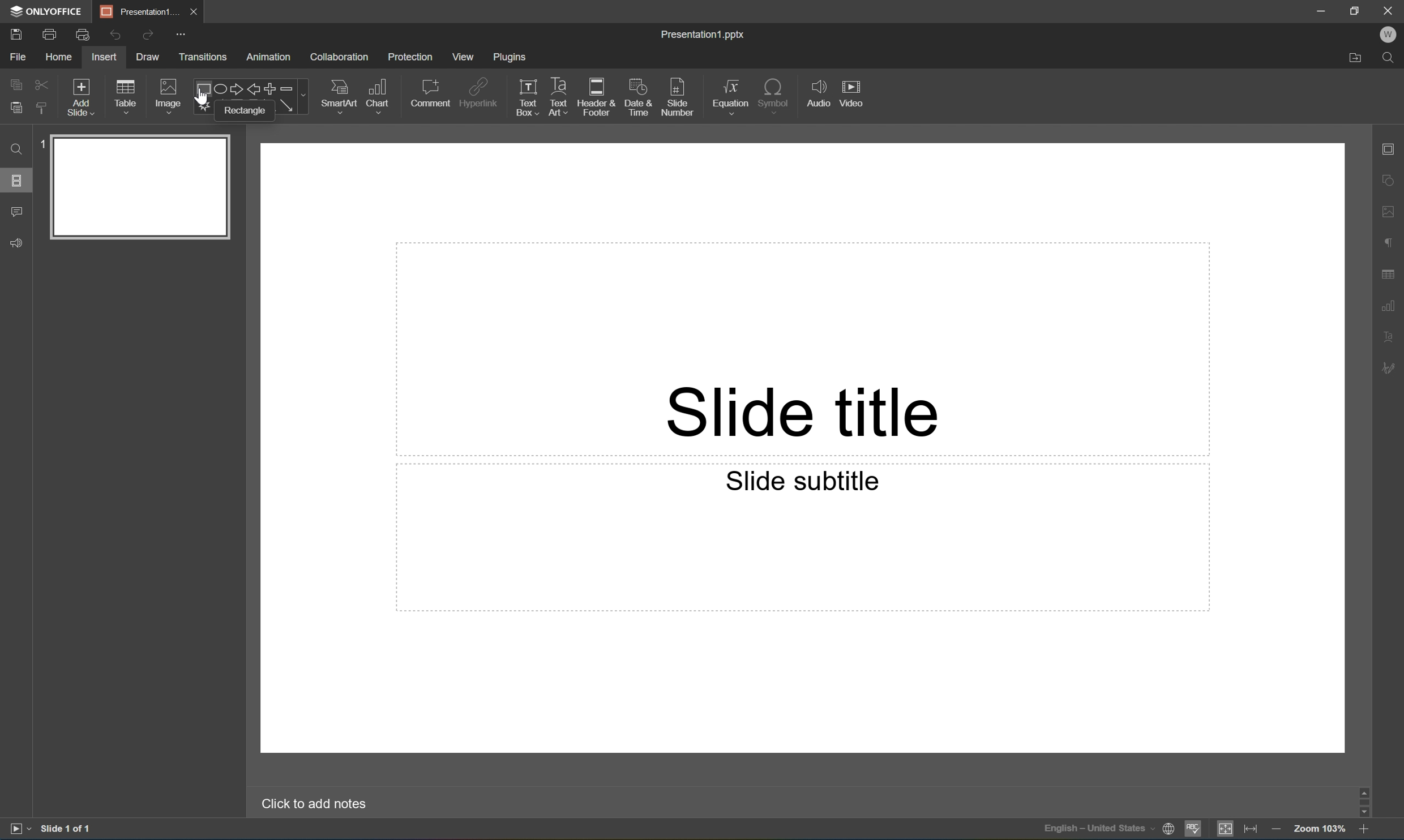  I want to click on Plus, so click(271, 88).